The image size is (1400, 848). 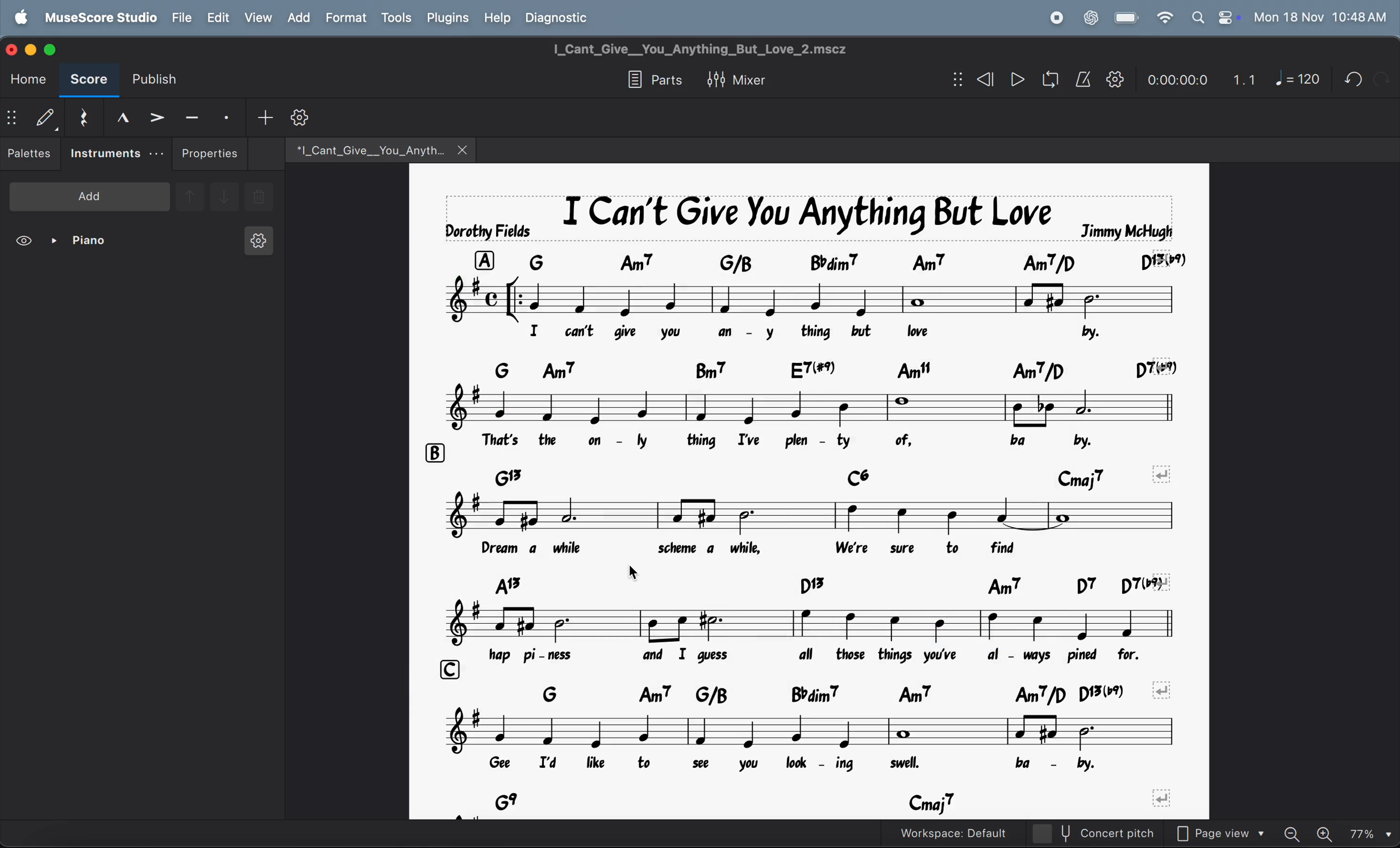 I want to click on parts, so click(x=651, y=81).